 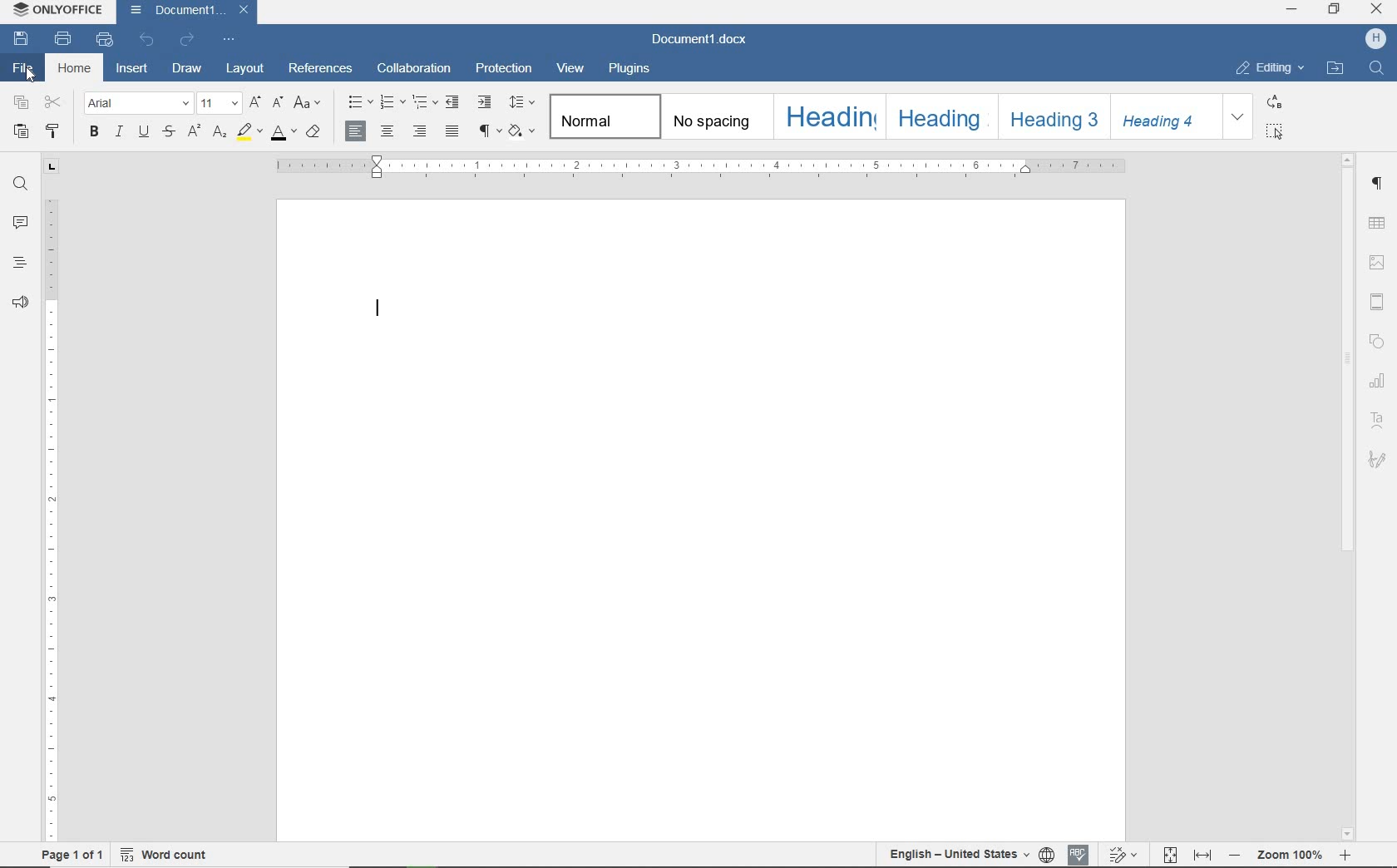 I want to click on copy style, so click(x=53, y=129).